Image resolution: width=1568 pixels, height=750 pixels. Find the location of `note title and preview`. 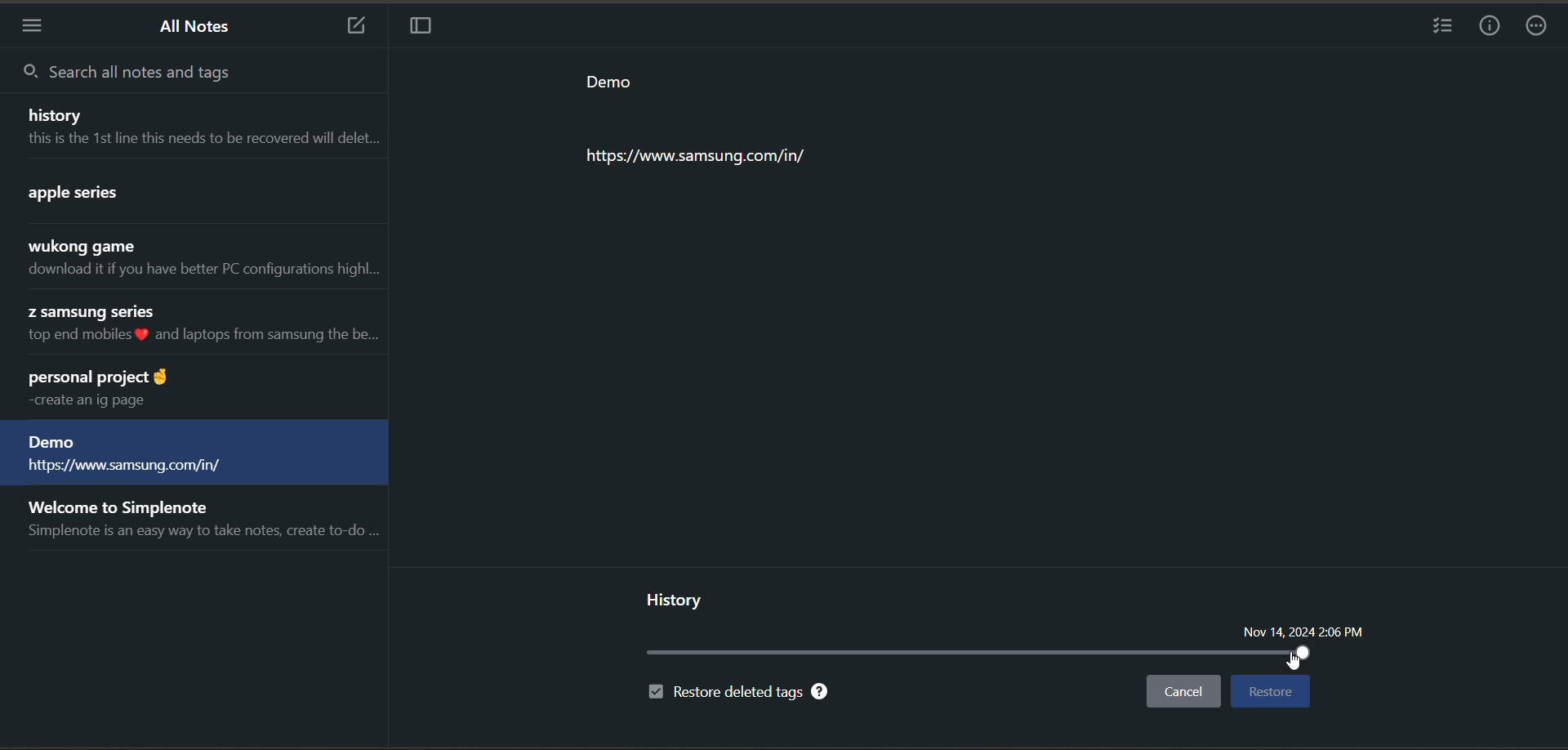

note title and preview is located at coordinates (195, 194).